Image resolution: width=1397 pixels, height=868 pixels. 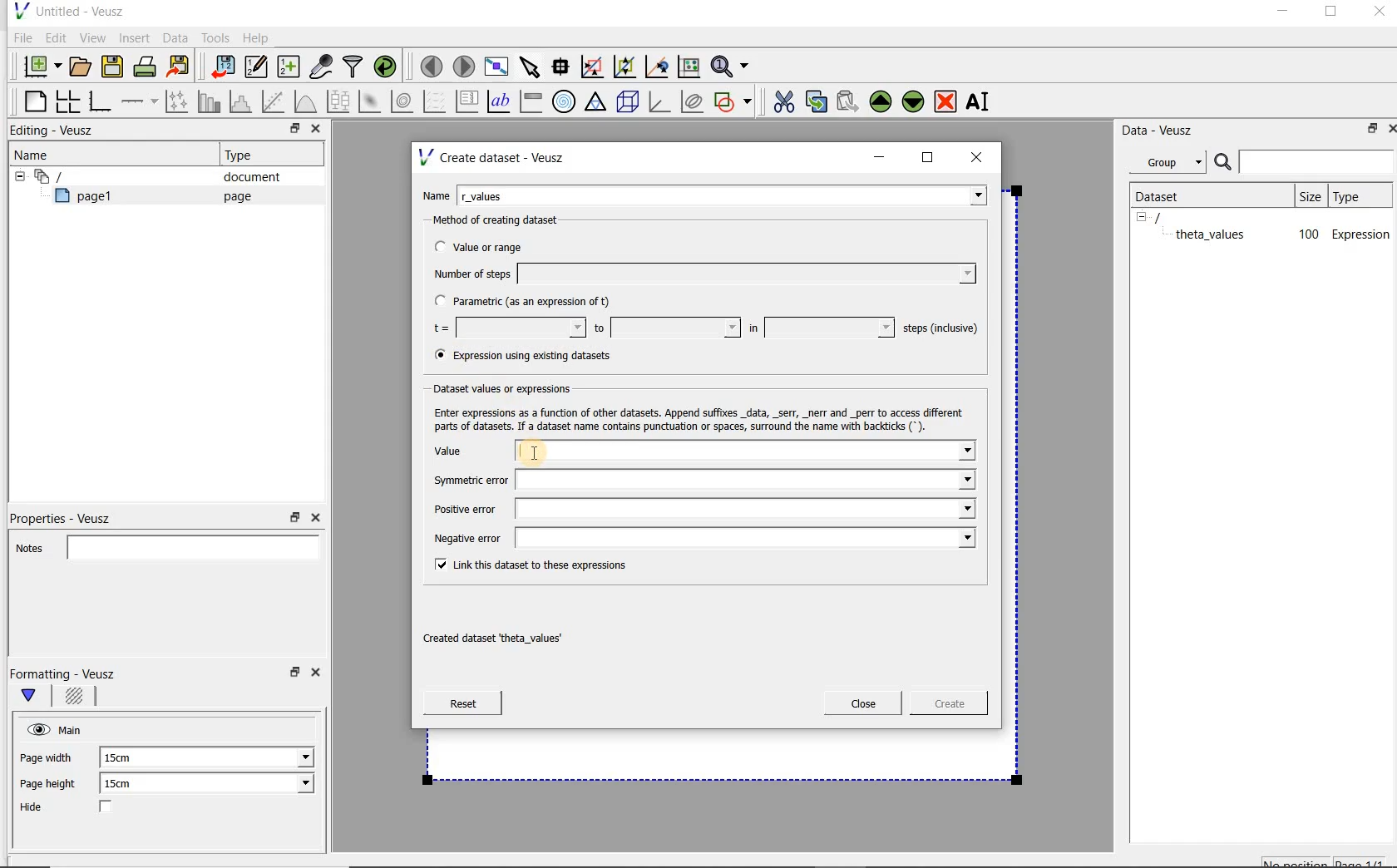 I want to click on Move the selected widget up, so click(x=881, y=101).